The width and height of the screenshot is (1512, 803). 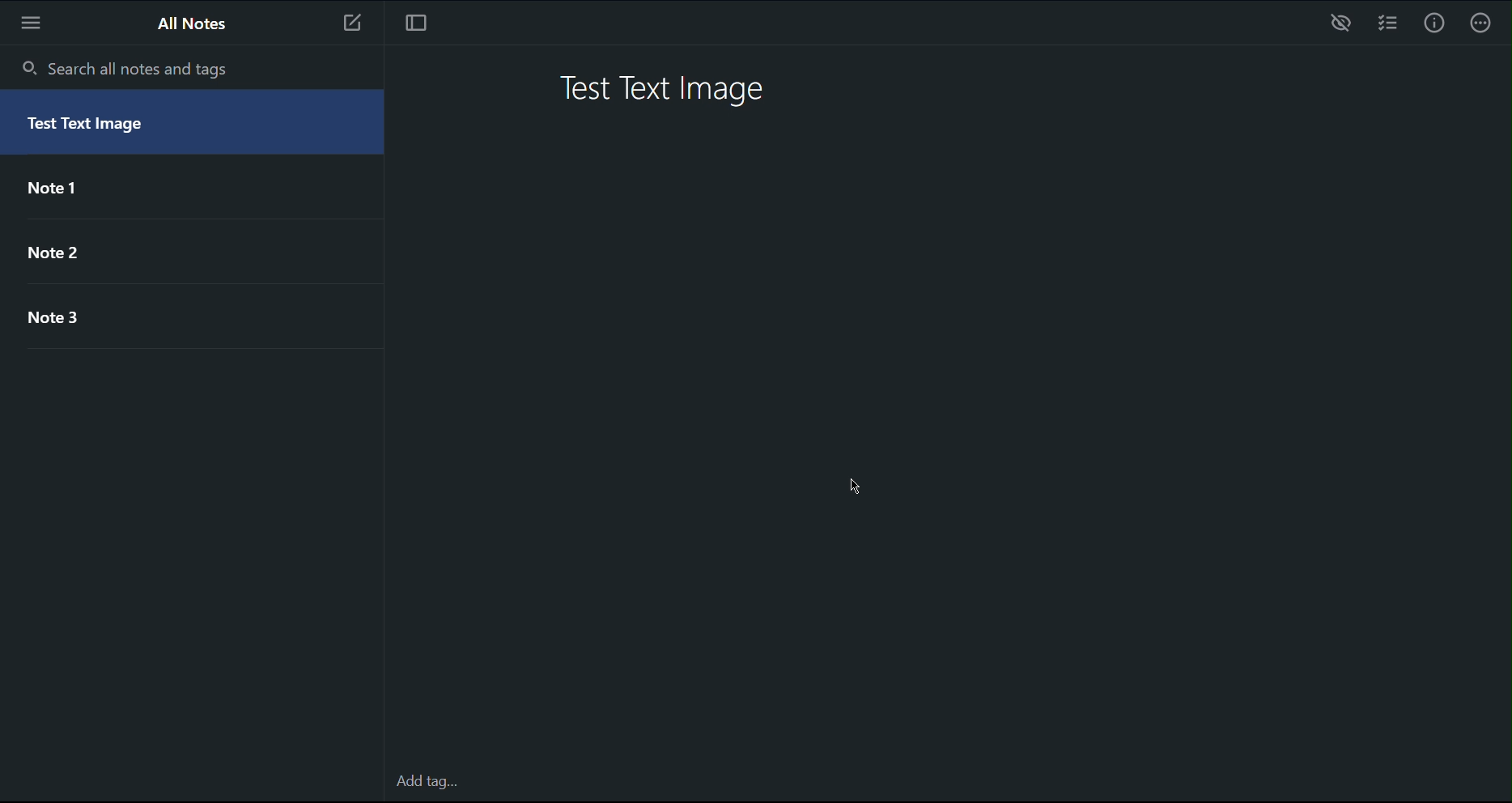 What do you see at coordinates (860, 489) in the screenshot?
I see `Cursor` at bounding box center [860, 489].